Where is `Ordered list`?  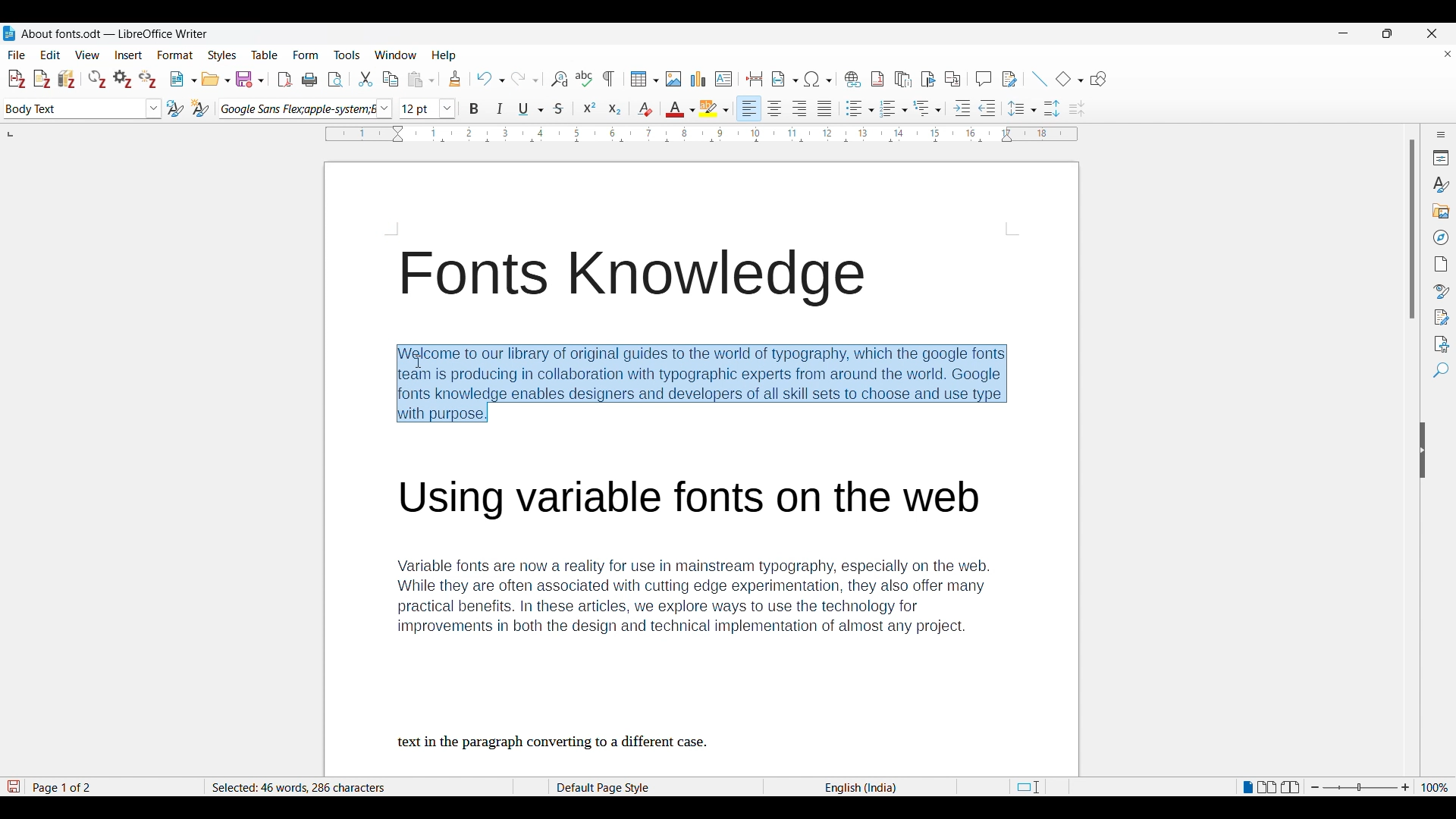 Ordered list is located at coordinates (894, 108).